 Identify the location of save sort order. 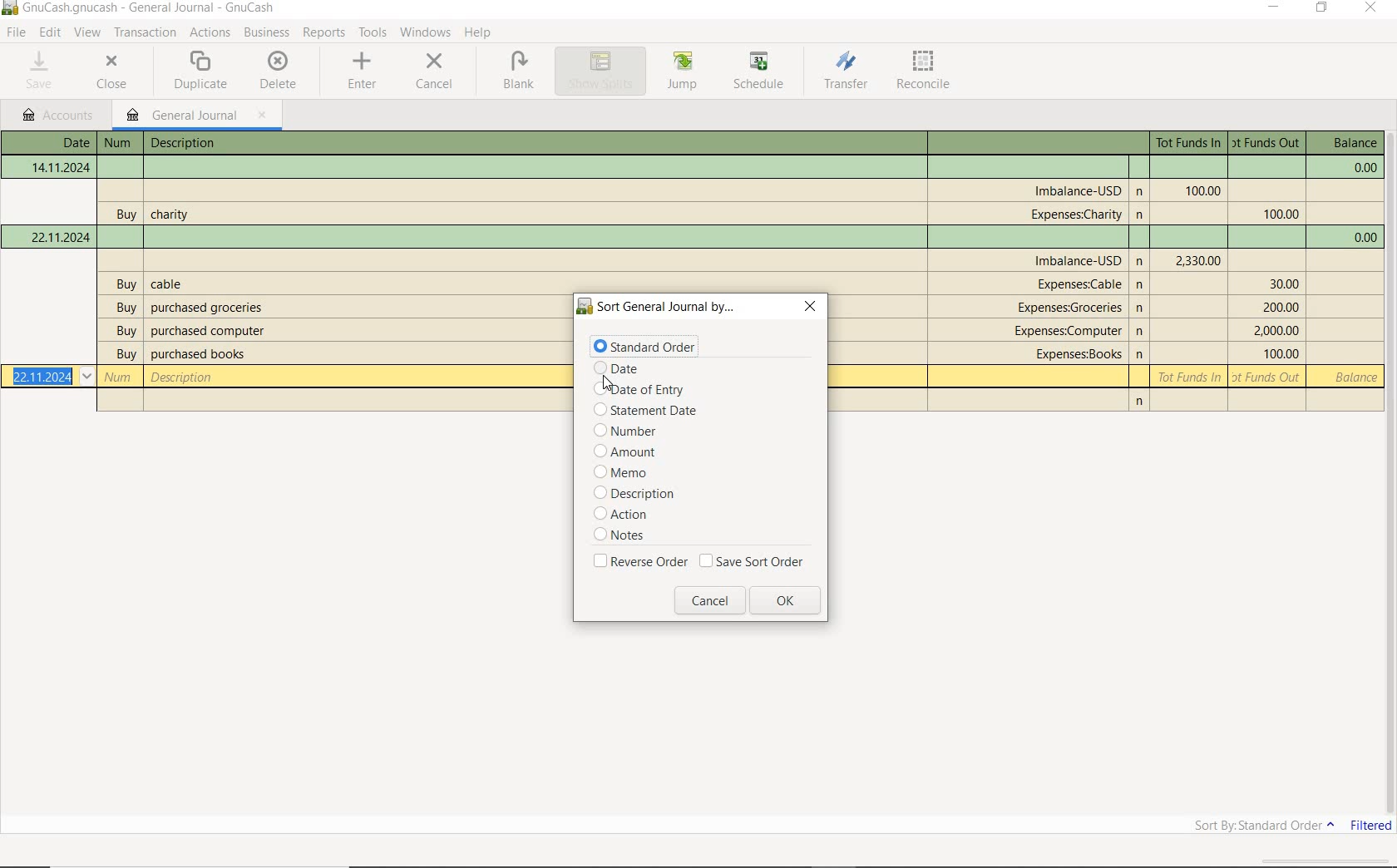
(755, 565).